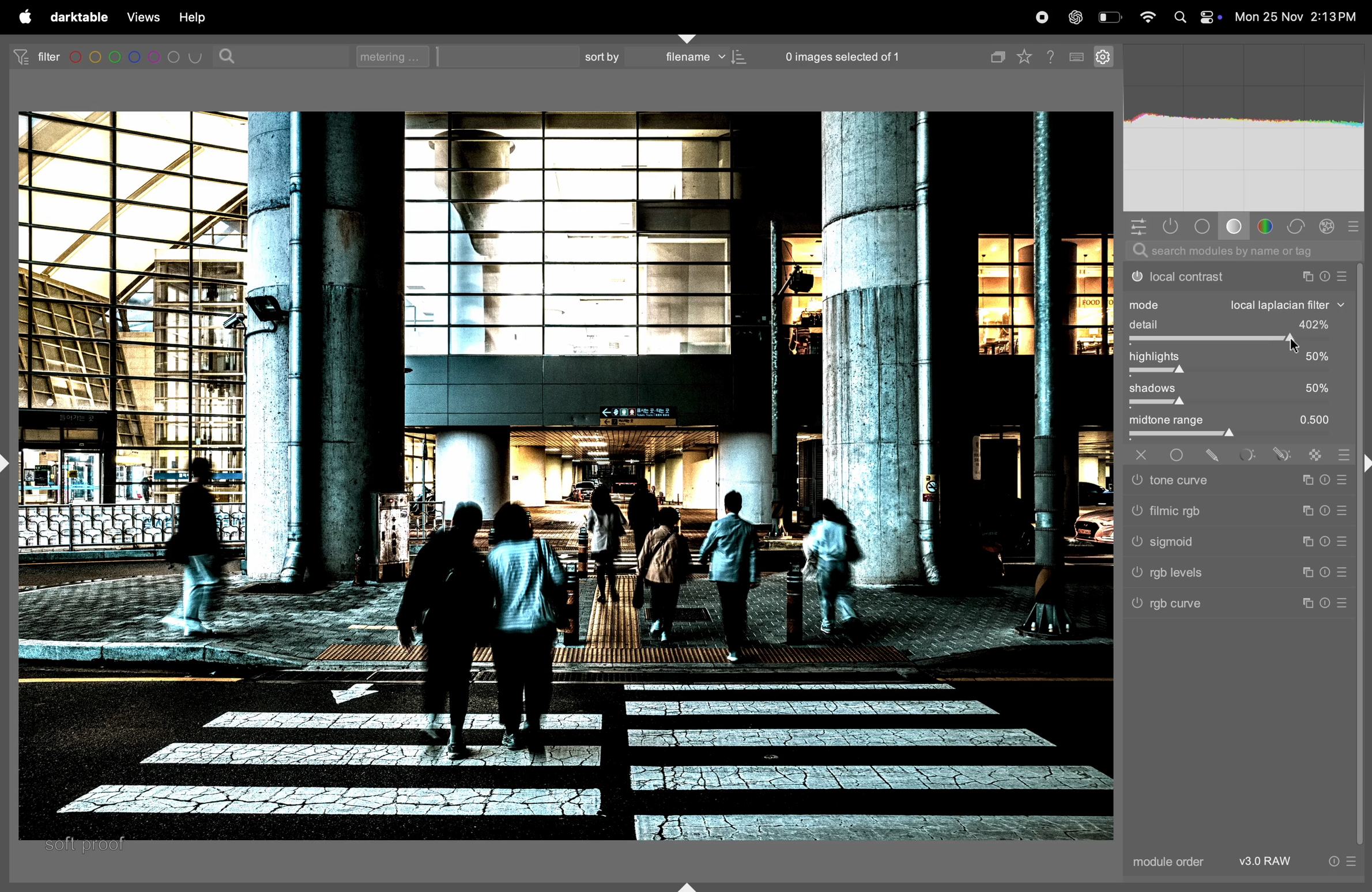  Describe the element at coordinates (1363, 466) in the screenshot. I see `shift+ctrl+r` at that location.